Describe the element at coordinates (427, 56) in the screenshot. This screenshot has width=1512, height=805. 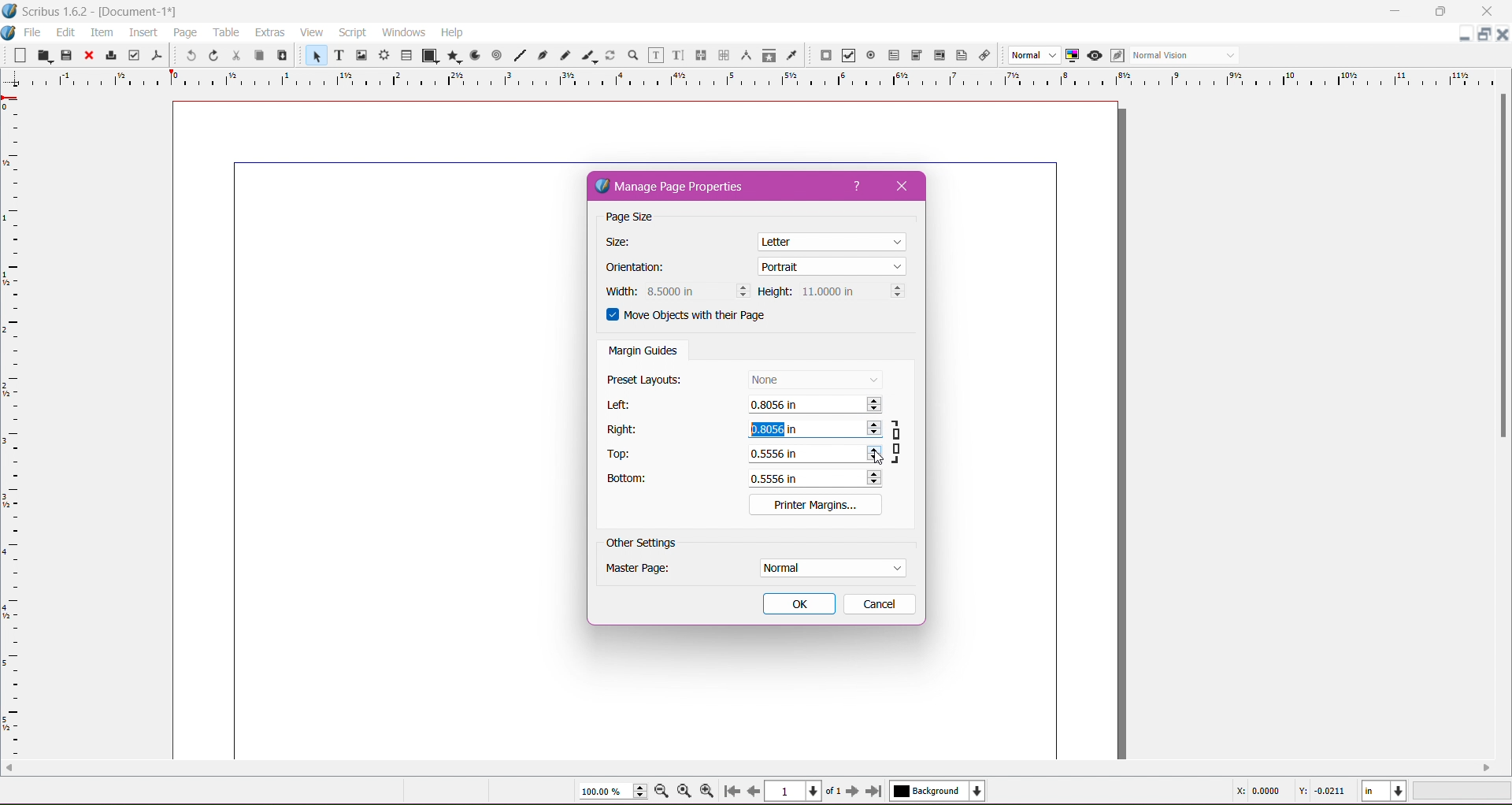
I see `Shape` at that location.